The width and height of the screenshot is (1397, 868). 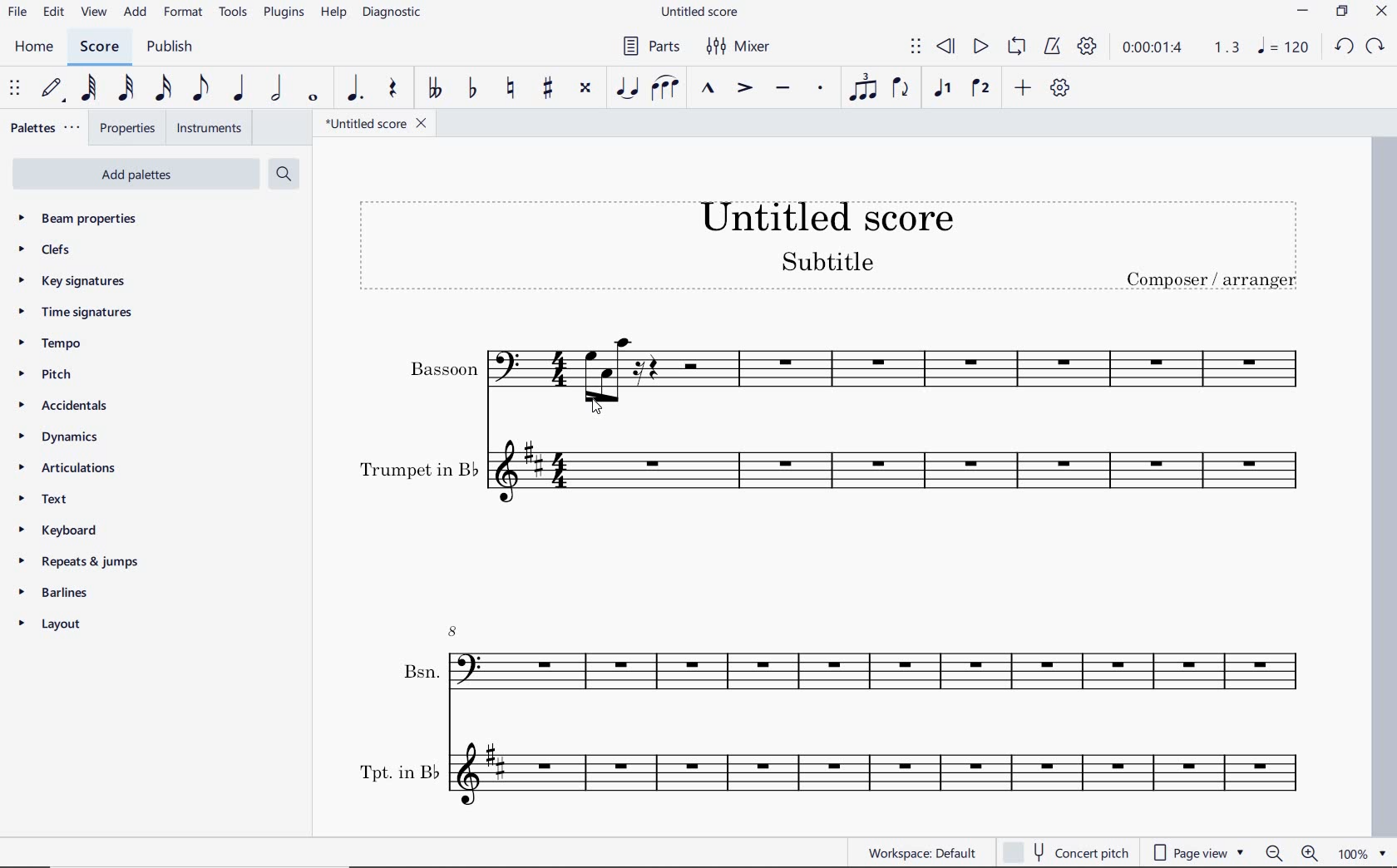 What do you see at coordinates (1379, 47) in the screenshot?
I see `REDO` at bounding box center [1379, 47].